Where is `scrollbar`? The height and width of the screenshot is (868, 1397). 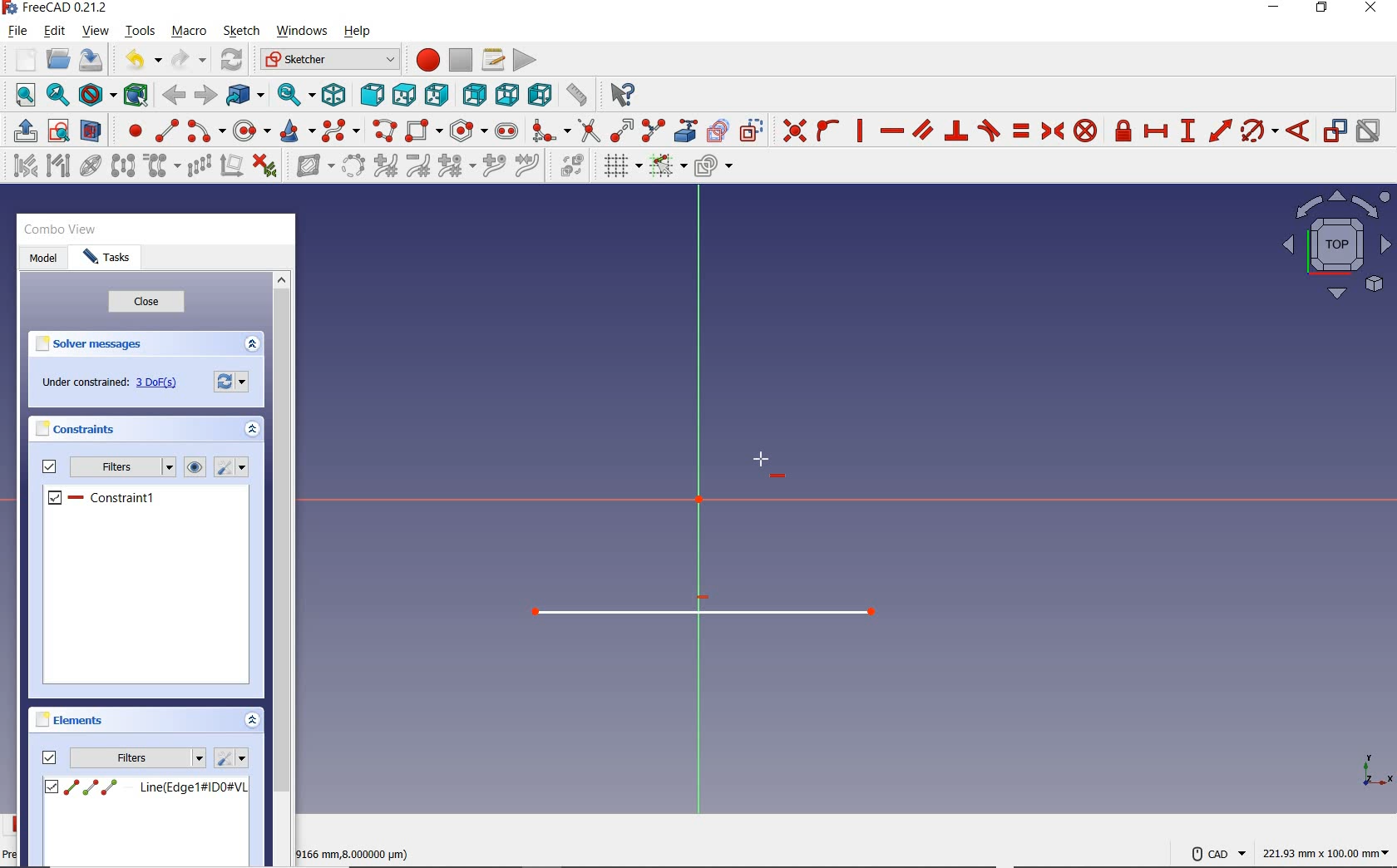
scrollbar is located at coordinates (282, 534).